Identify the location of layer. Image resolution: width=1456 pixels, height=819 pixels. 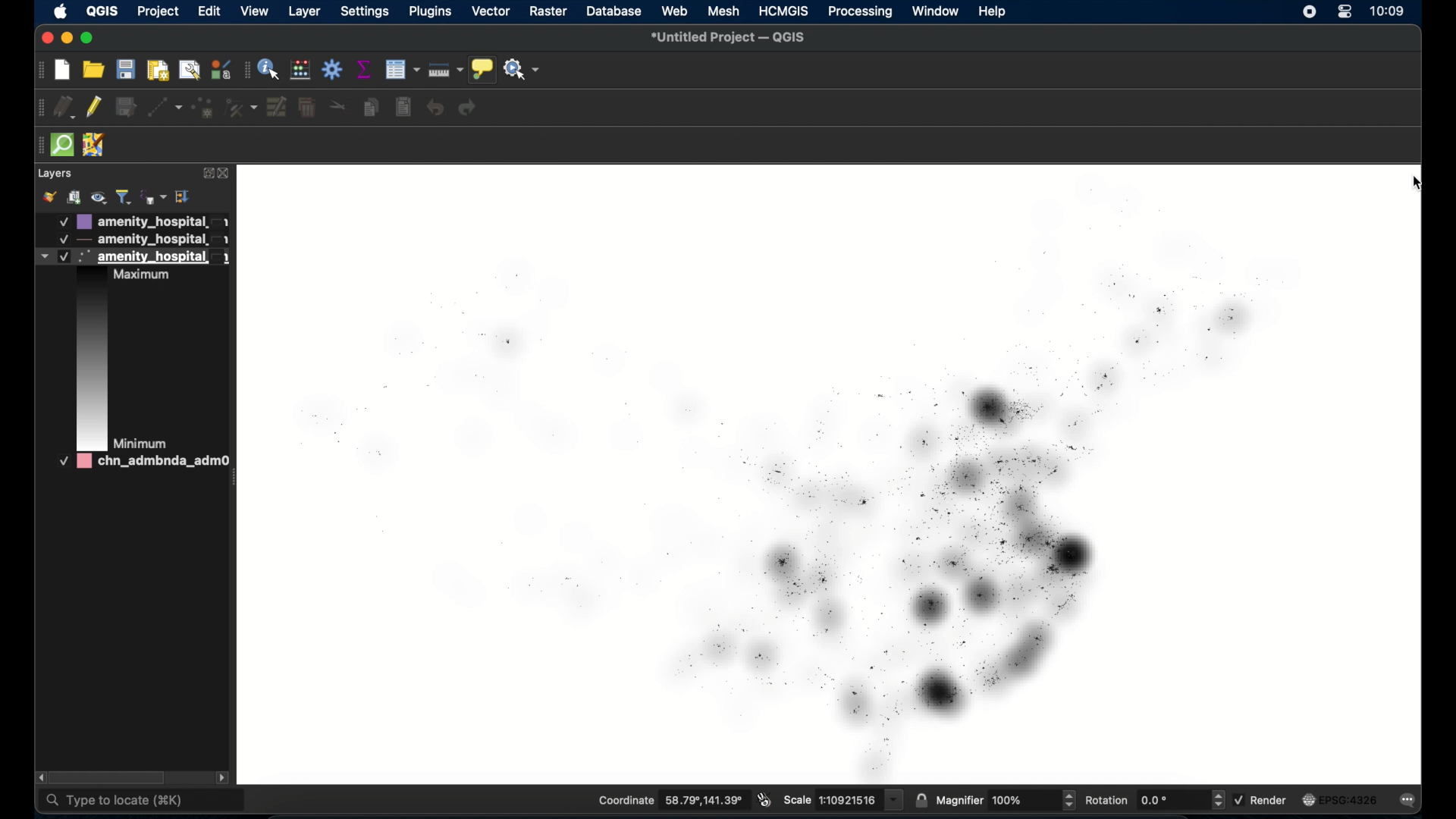
(303, 11).